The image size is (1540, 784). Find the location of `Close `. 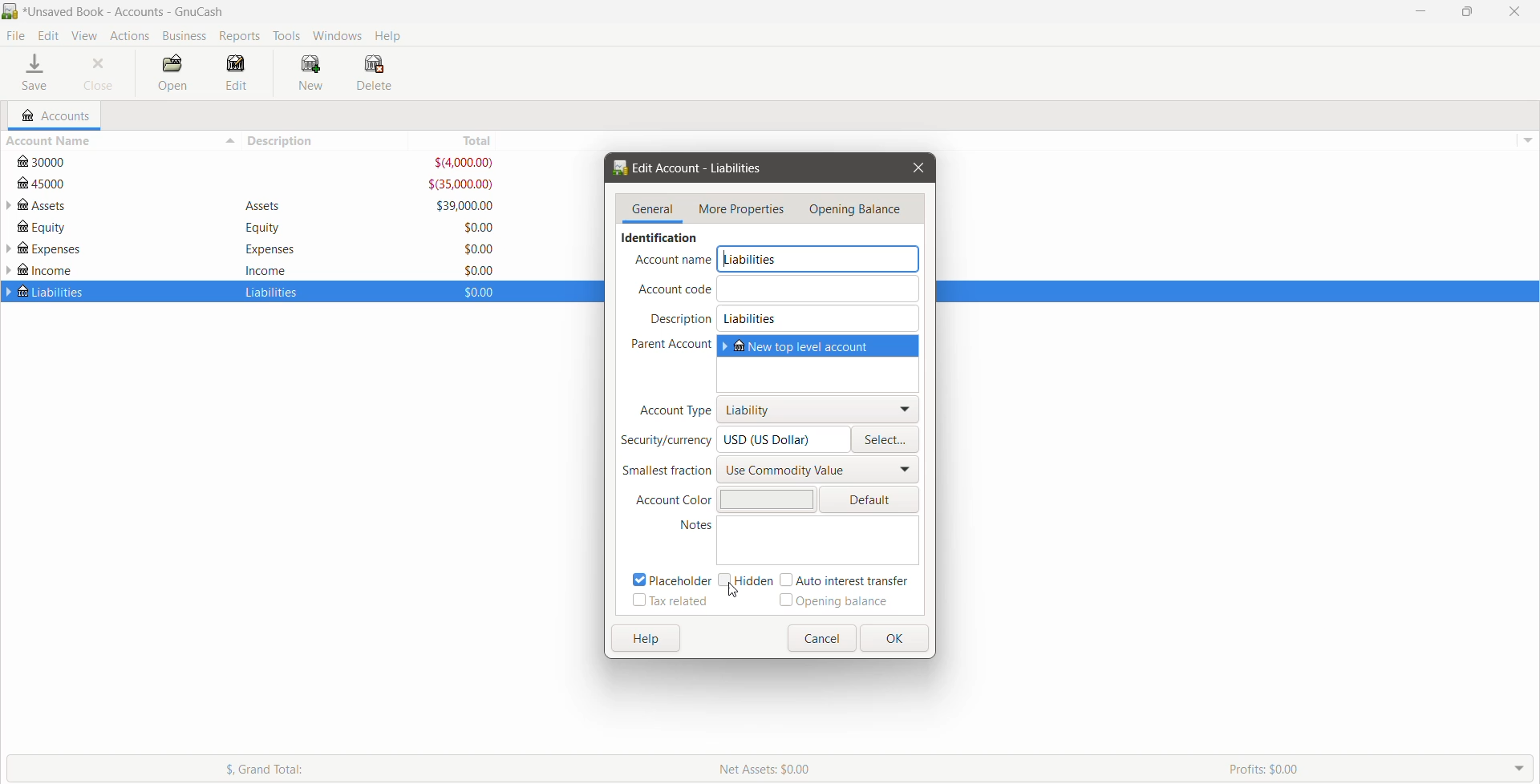

Close  is located at coordinates (917, 168).